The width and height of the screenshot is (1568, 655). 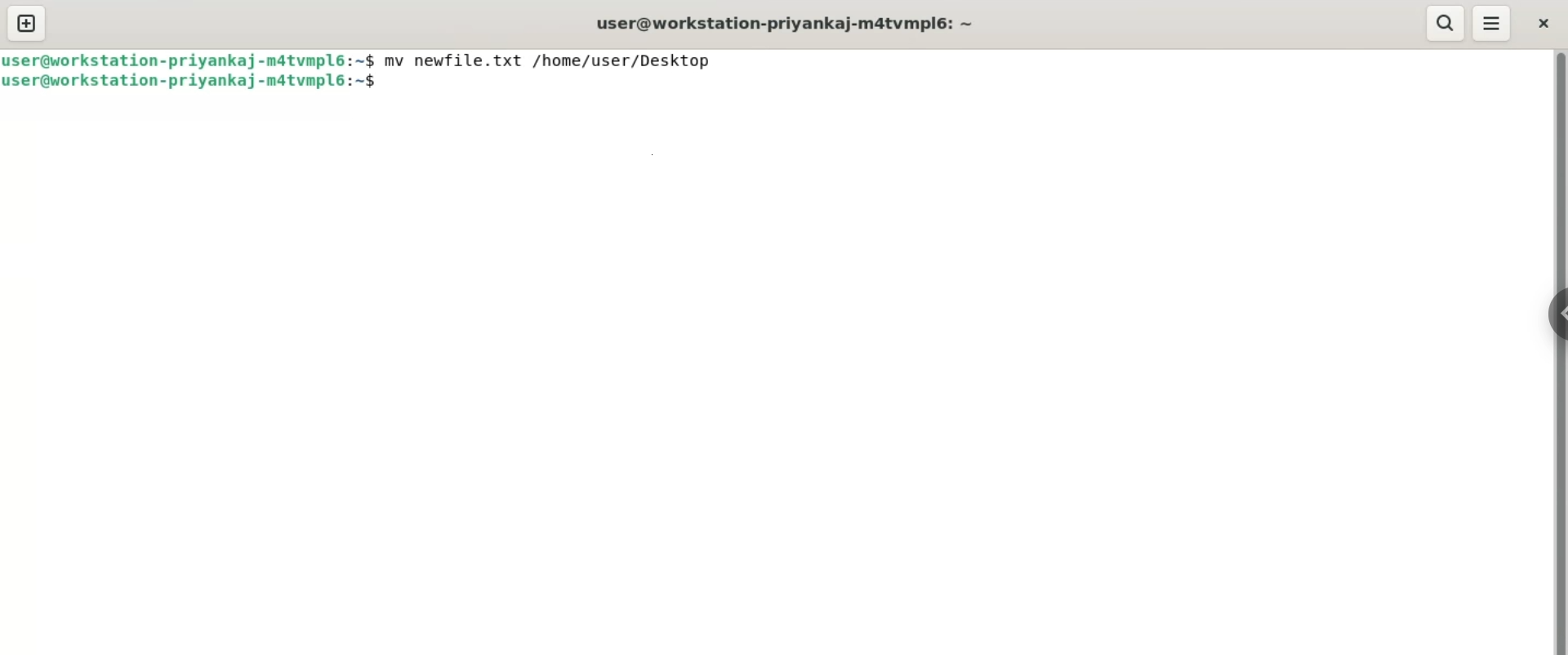 What do you see at coordinates (550, 59) in the screenshot?
I see `mv newfile.txt /home/user/Desktop` at bounding box center [550, 59].